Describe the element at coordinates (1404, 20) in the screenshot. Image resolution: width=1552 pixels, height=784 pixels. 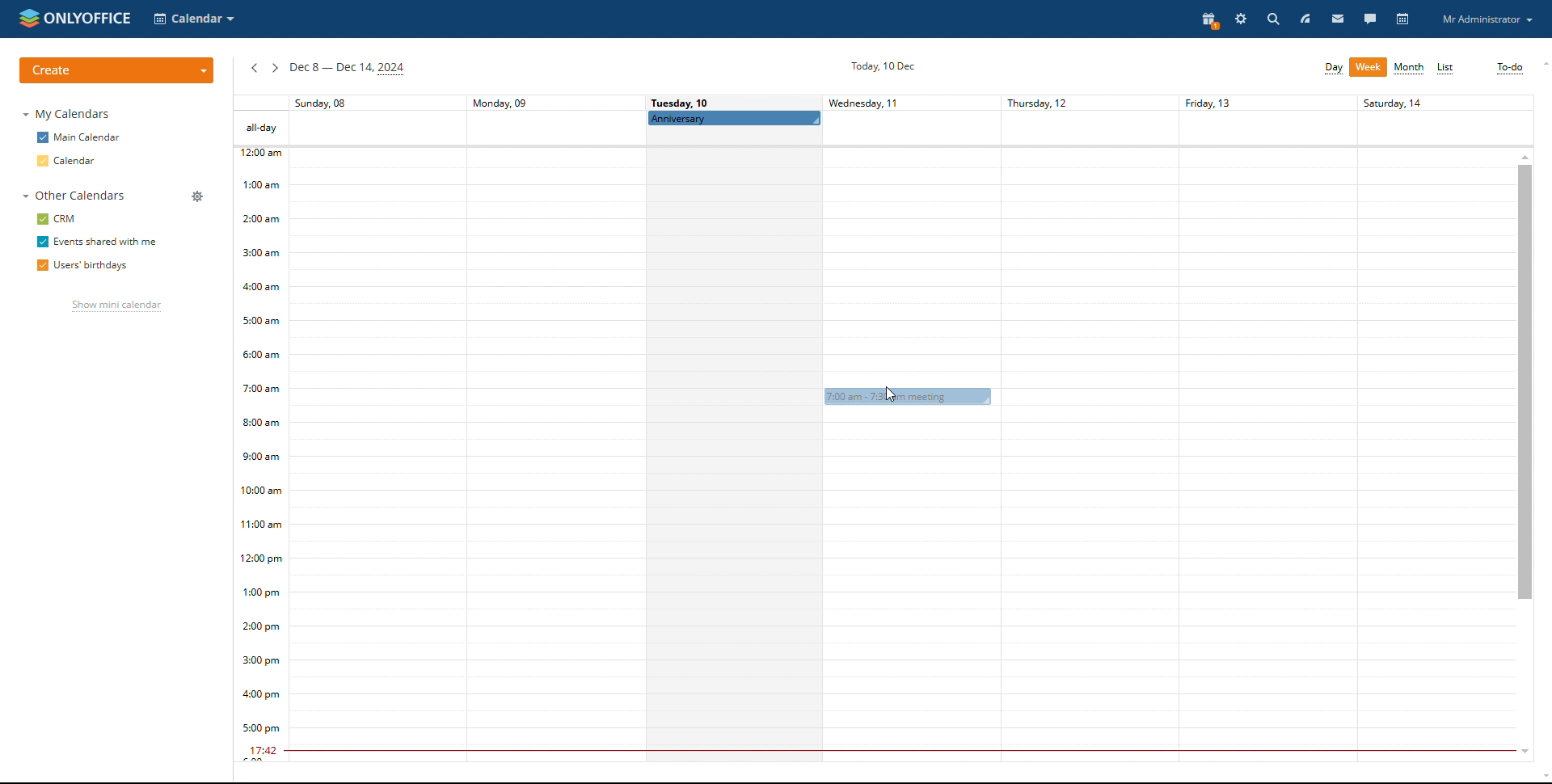
I see `calendar` at that location.